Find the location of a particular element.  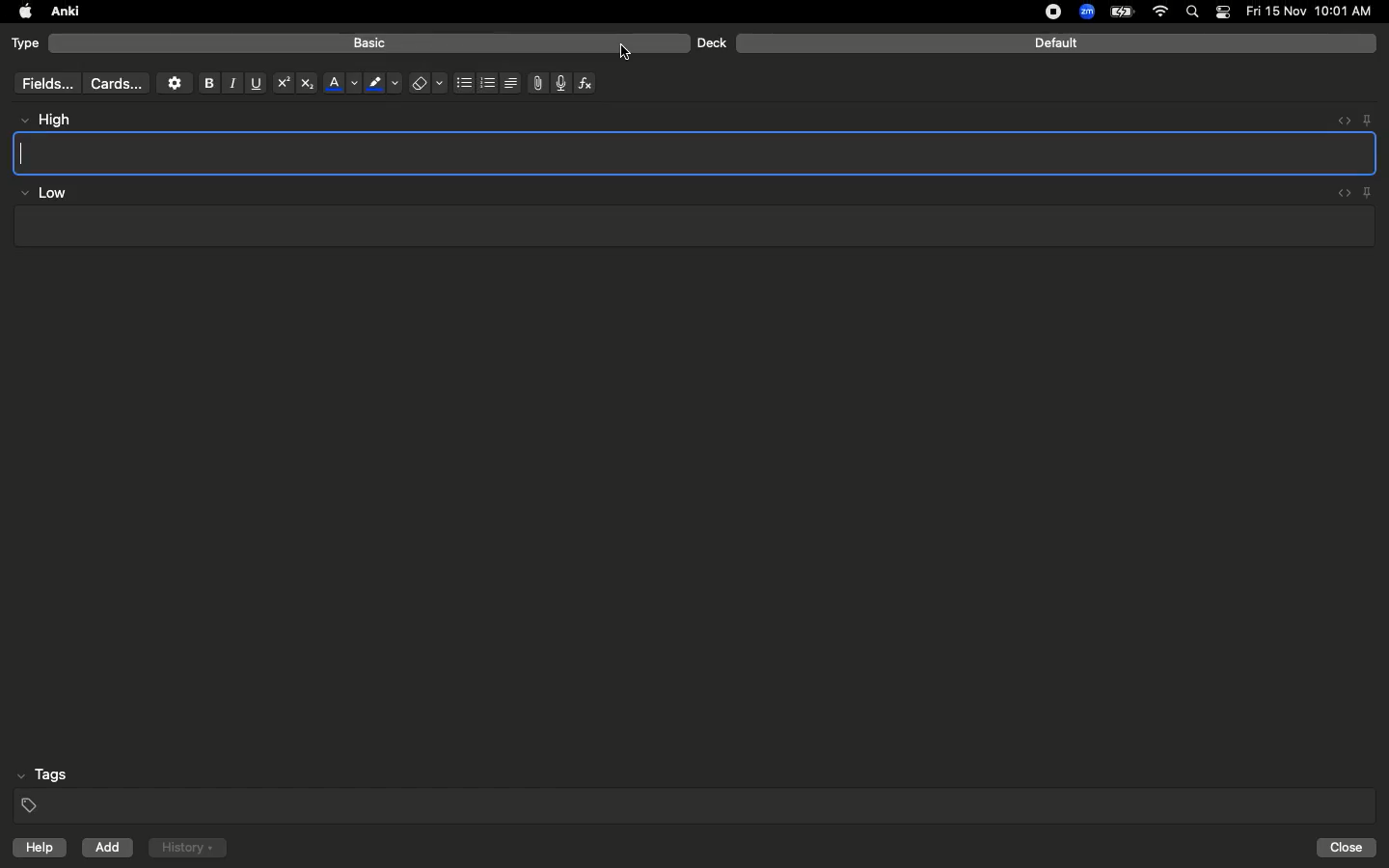

Settings is located at coordinates (175, 83).